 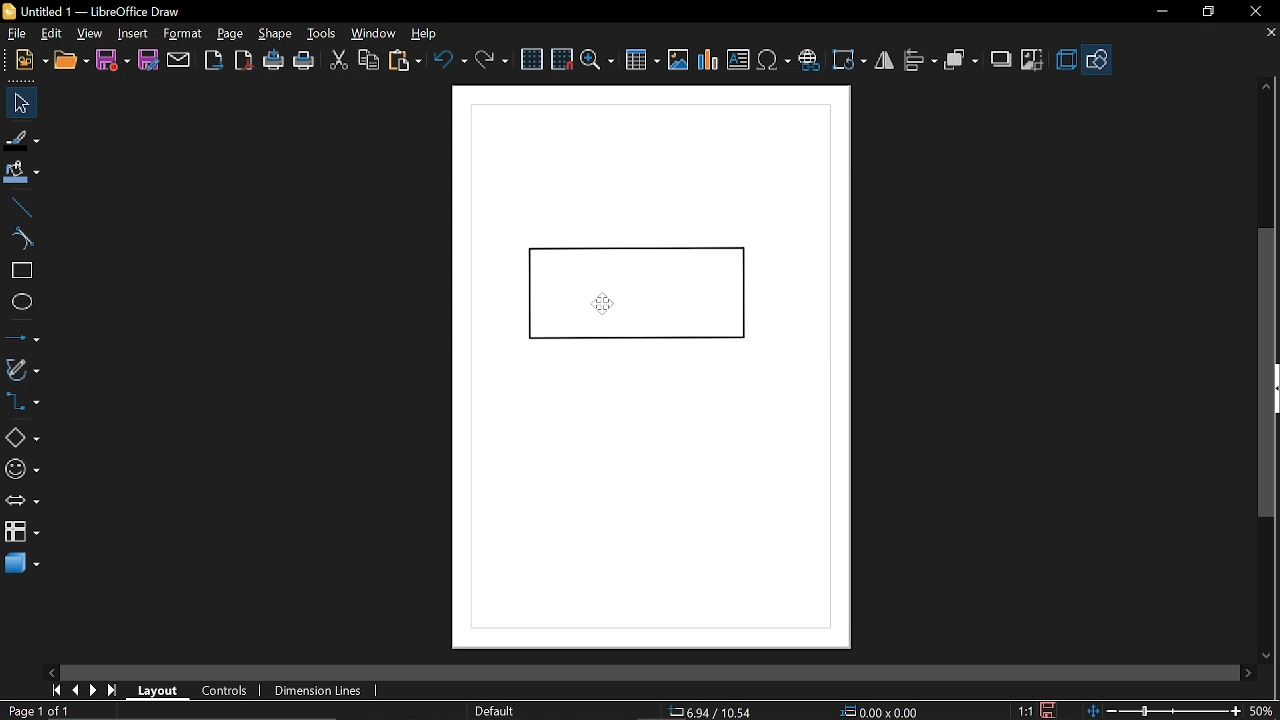 I want to click on undo, so click(x=451, y=63).